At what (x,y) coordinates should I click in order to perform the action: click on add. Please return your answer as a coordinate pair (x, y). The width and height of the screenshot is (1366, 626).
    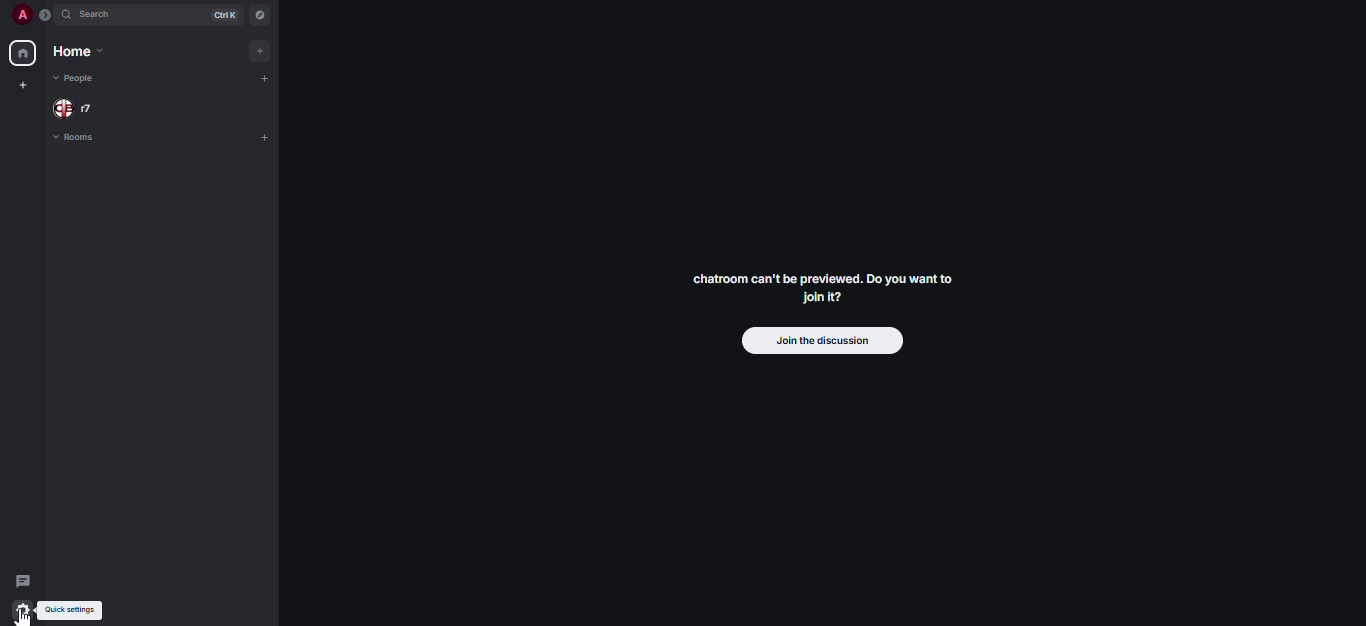
    Looking at the image, I should click on (262, 75).